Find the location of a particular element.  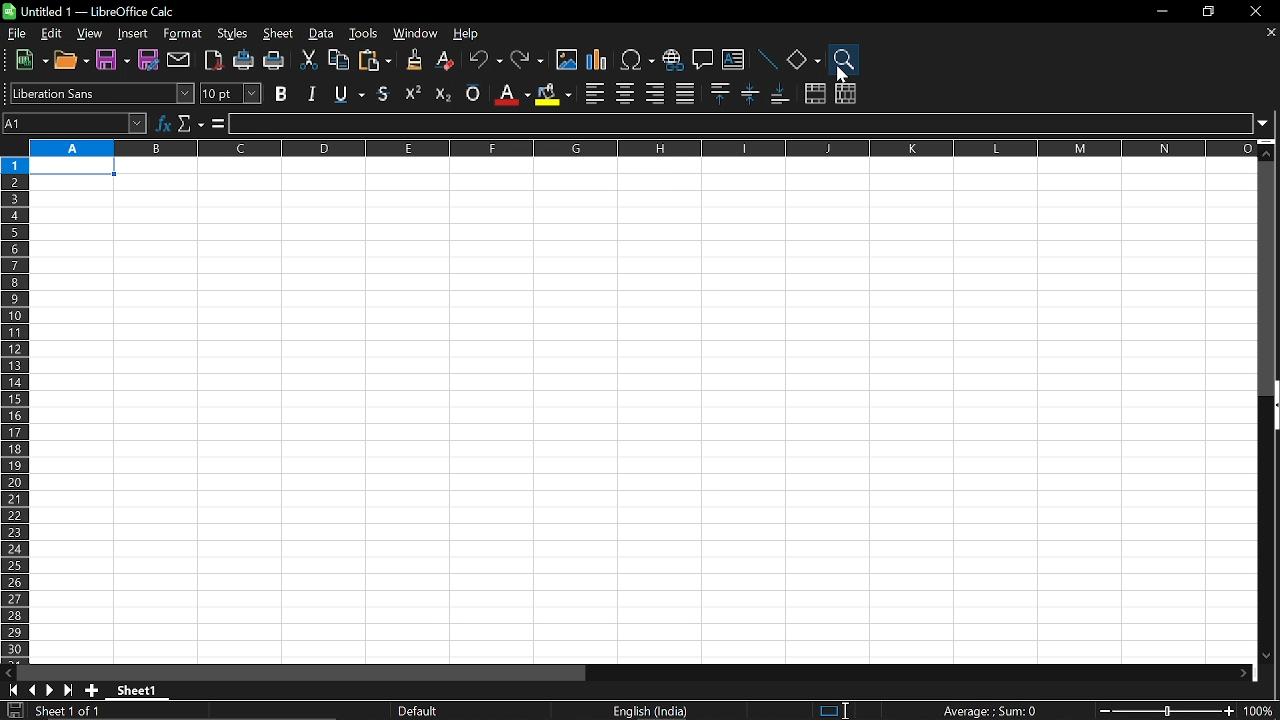

window is located at coordinates (416, 35).